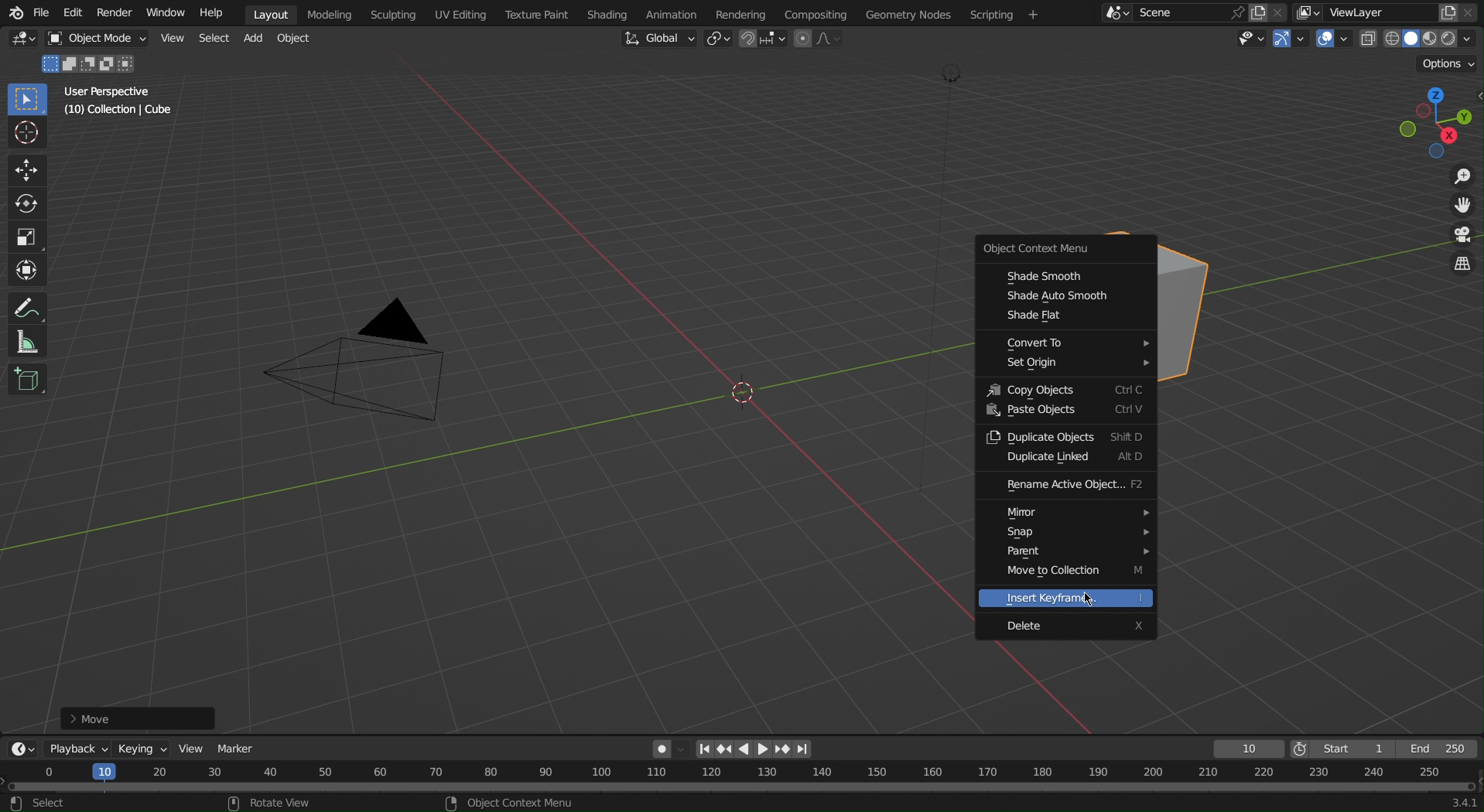 The width and height of the screenshot is (1484, 812). Describe the element at coordinates (218, 12) in the screenshot. I see `Help` at that location.